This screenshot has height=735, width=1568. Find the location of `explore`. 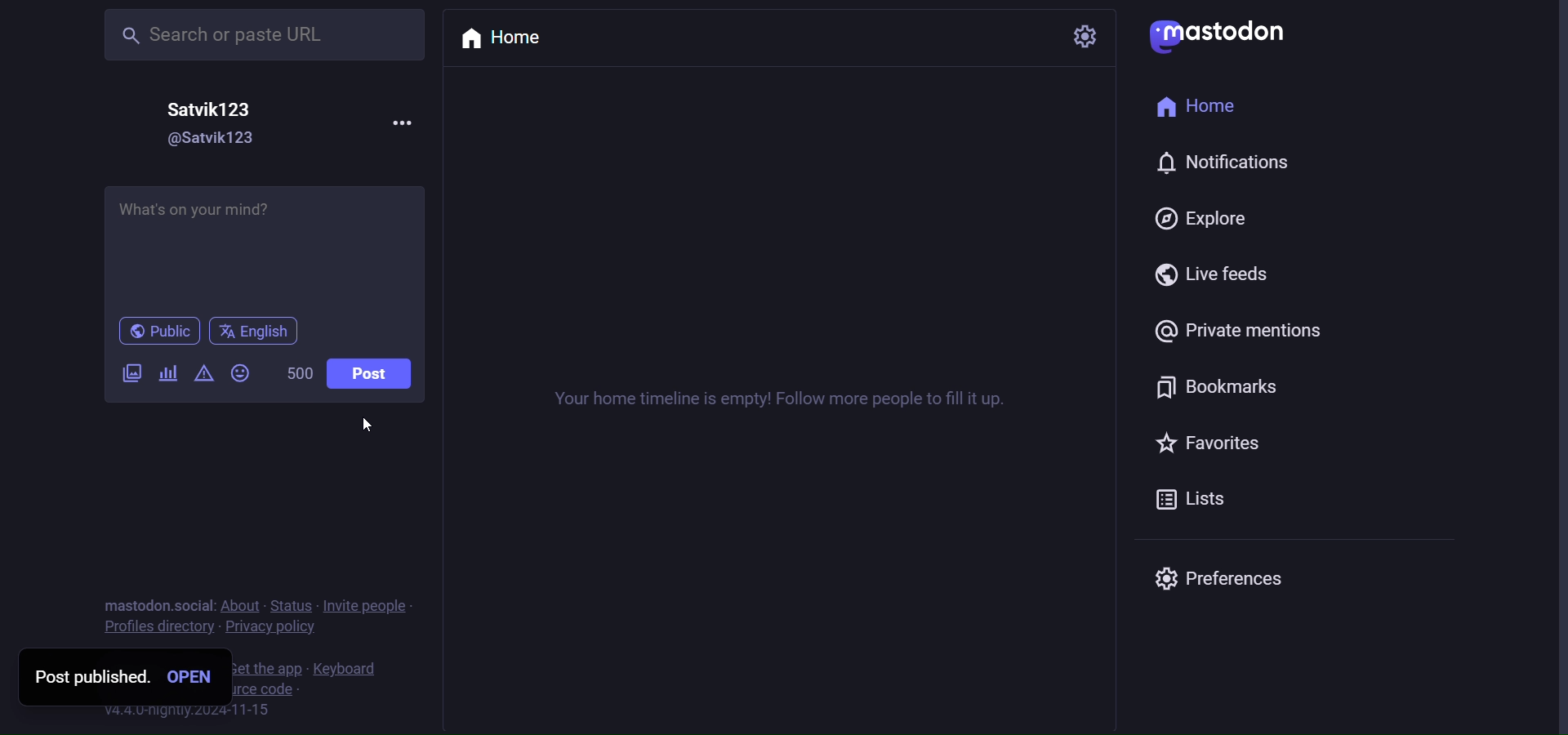

explore is located at coordinates (1202, 218).